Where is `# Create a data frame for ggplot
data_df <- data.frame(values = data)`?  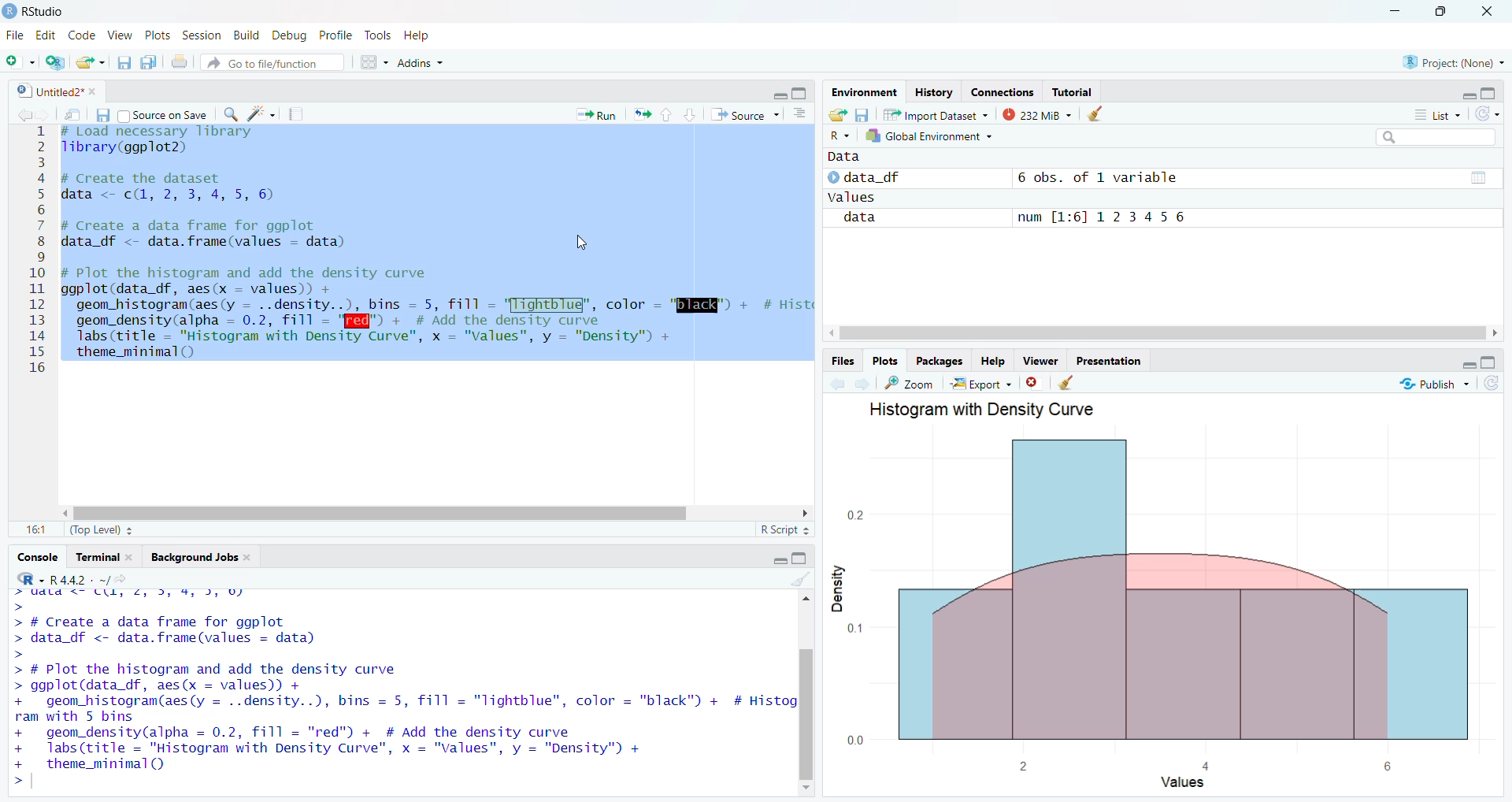
# Create a data frame for ggplot
data_df <- data.frame(values = data) is located at coordinates (208, 236).